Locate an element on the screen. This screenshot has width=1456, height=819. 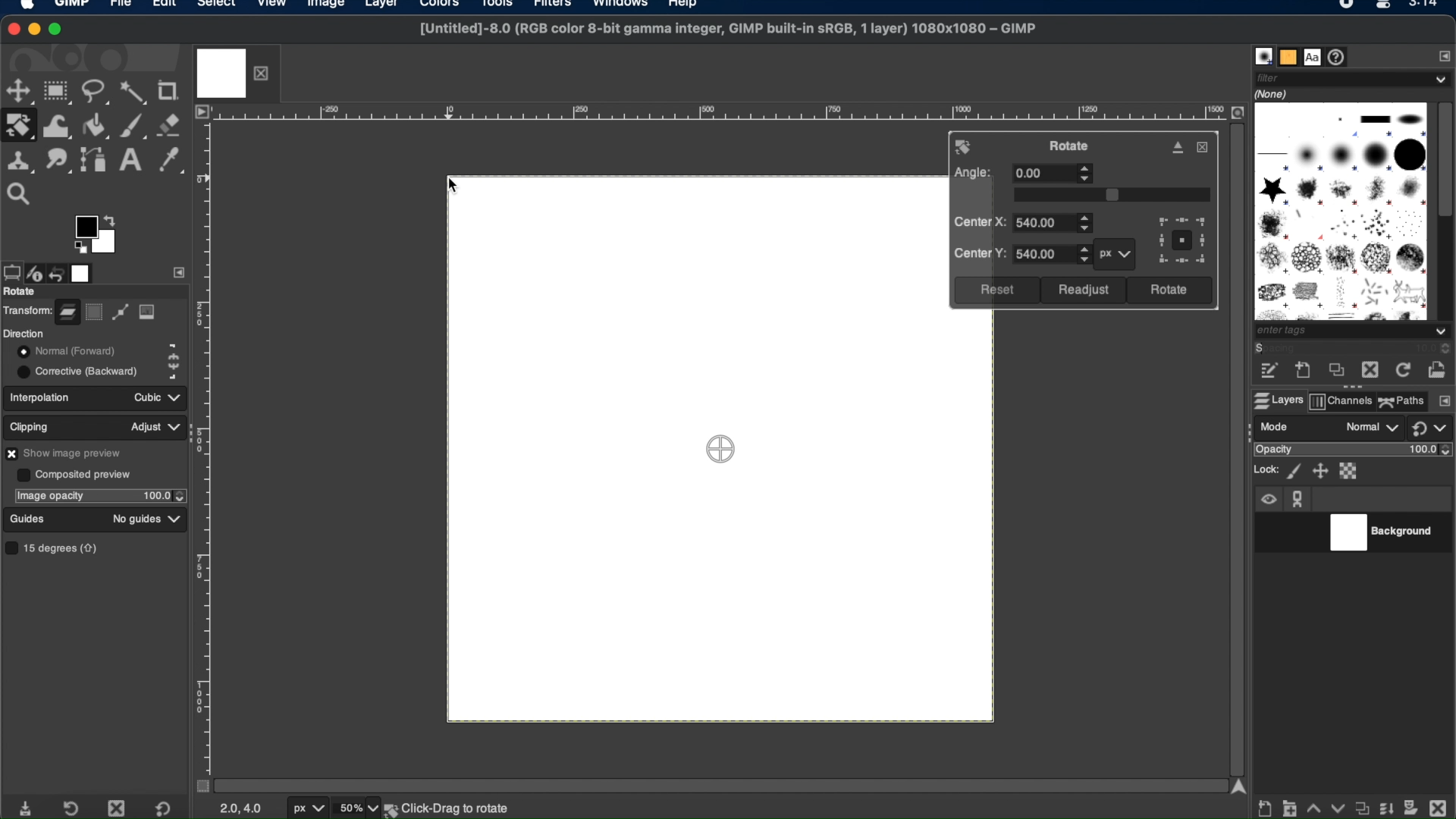
filter dropdown is located at coordinates (1353, 78).